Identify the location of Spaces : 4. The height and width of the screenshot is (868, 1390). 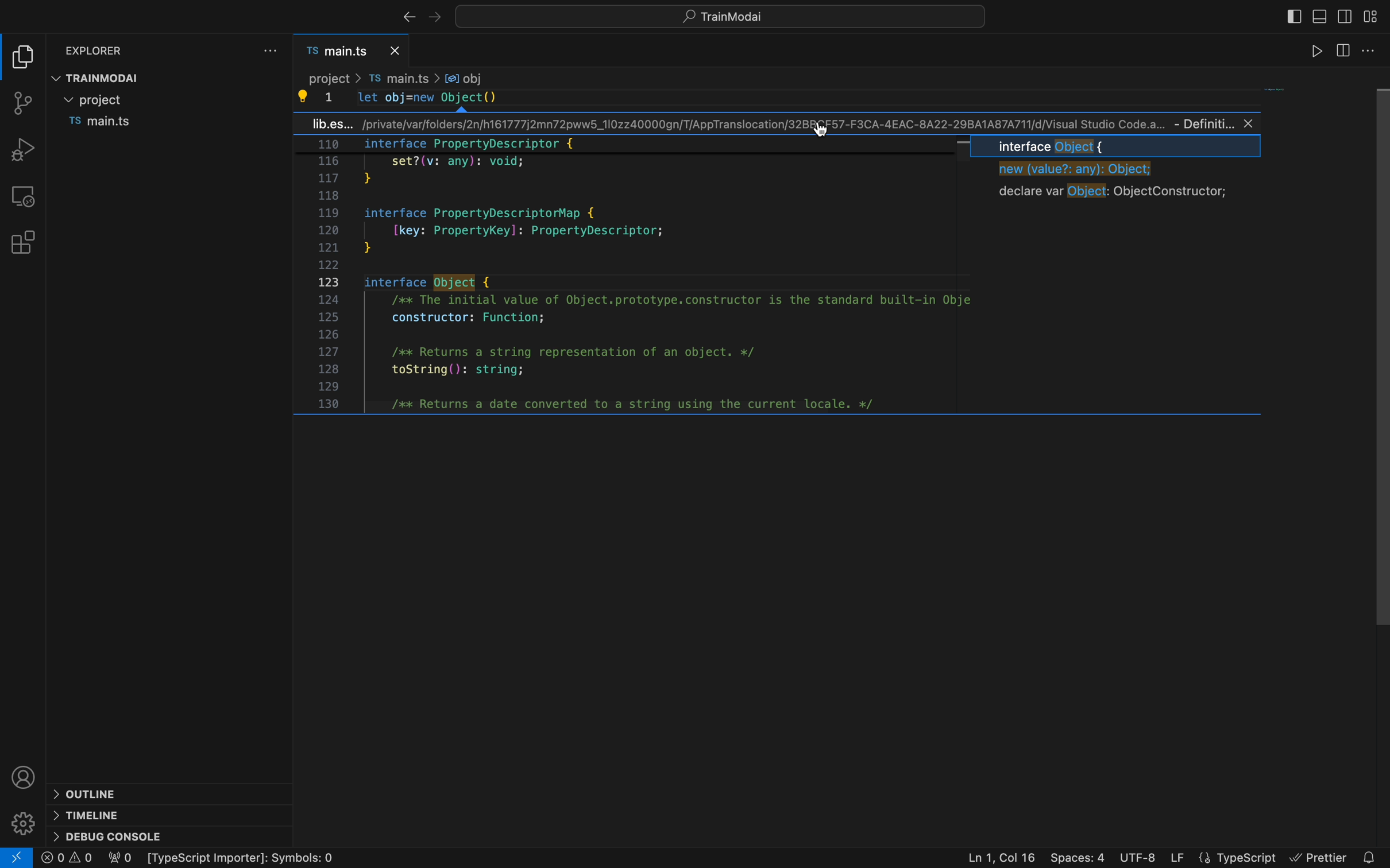
(1078, 854).